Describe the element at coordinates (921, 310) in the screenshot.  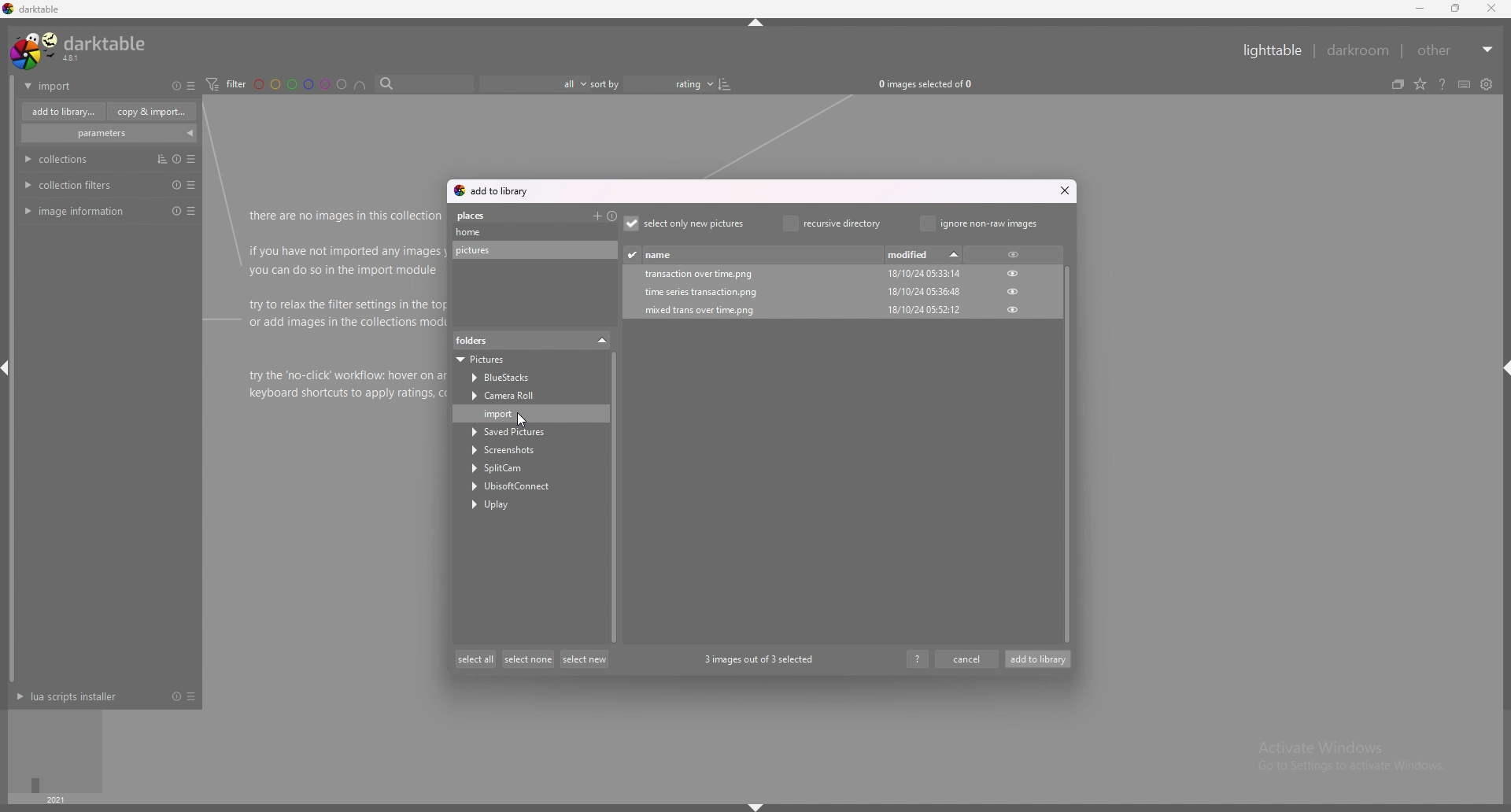
I see `18/10/24 05:52:12` at that location.